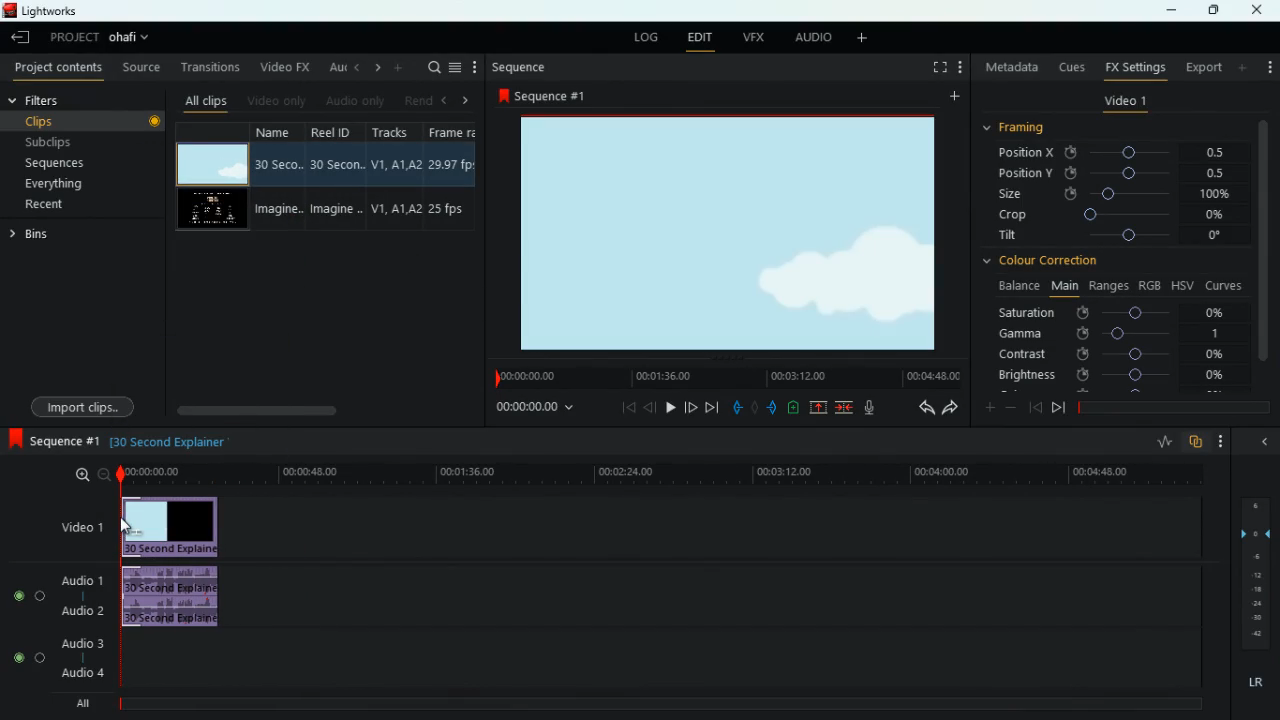 The image size is (1280, 720). Describe the element at coordinates (280, 210) in the screenshot. I see `Imagine..` at that location.